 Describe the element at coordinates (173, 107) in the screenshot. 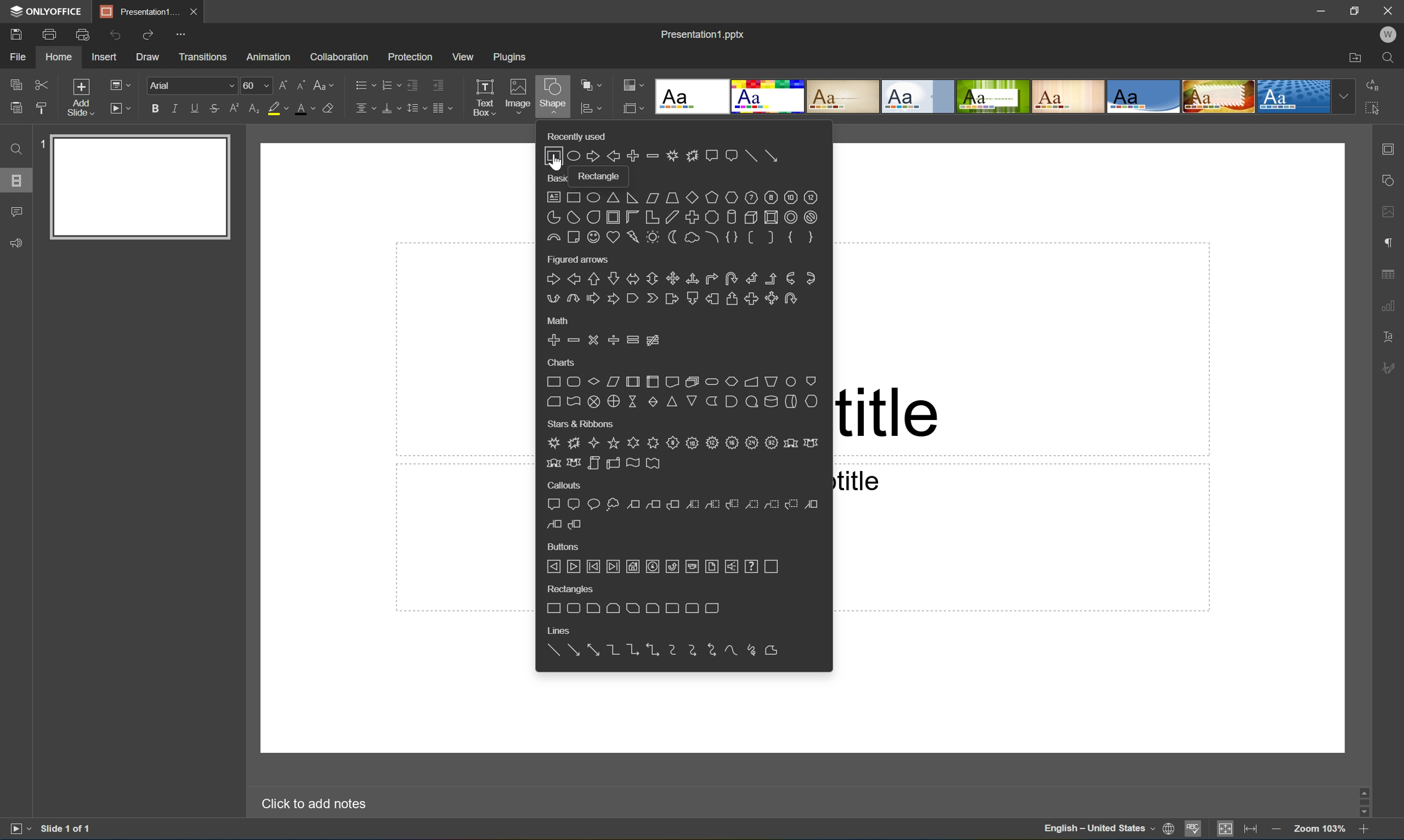

I see `Italic` at that location.